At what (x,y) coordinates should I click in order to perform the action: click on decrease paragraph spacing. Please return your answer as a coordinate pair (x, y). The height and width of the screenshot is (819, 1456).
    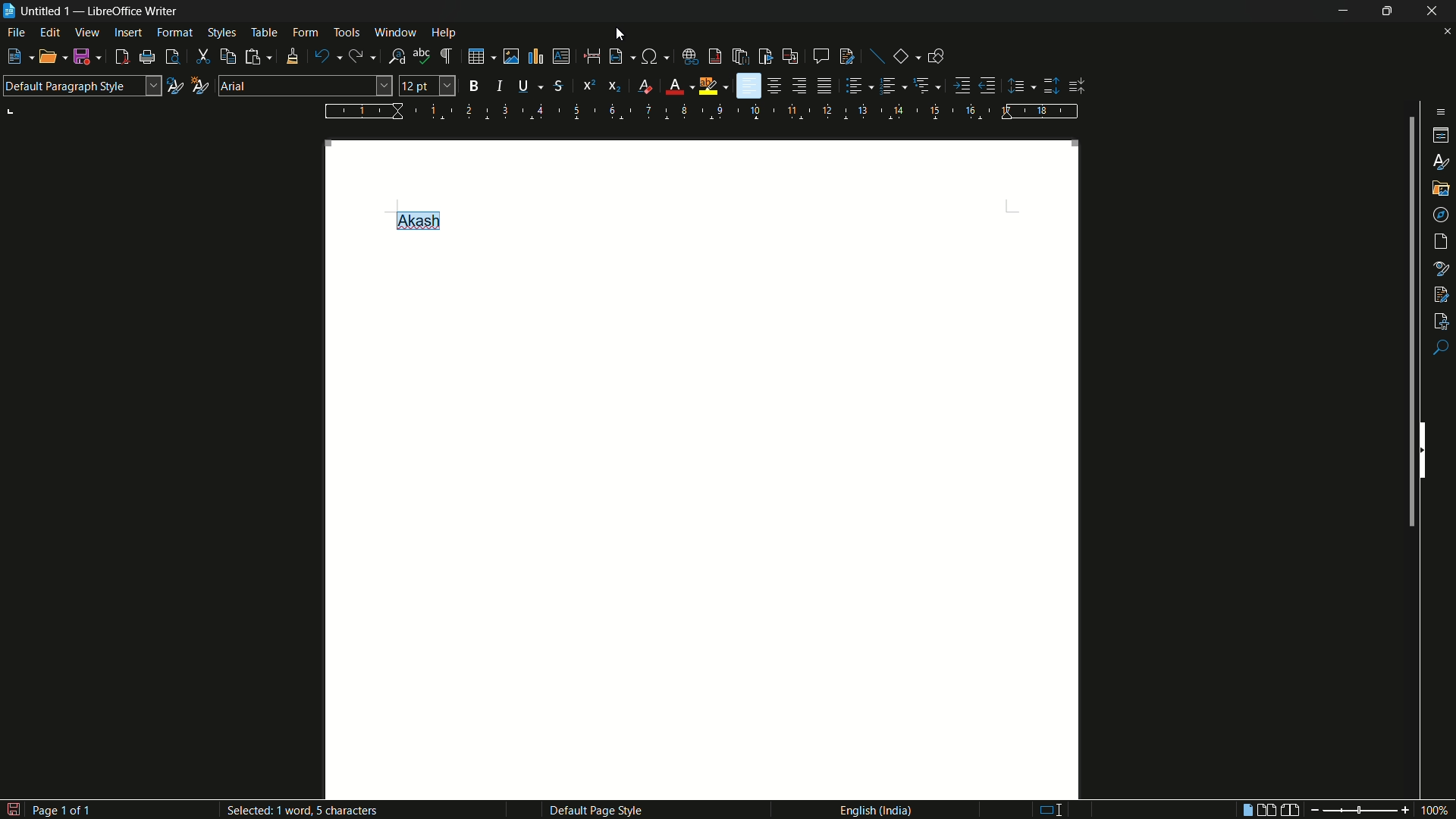
    Looking at the image, I should click on (1078, 86).